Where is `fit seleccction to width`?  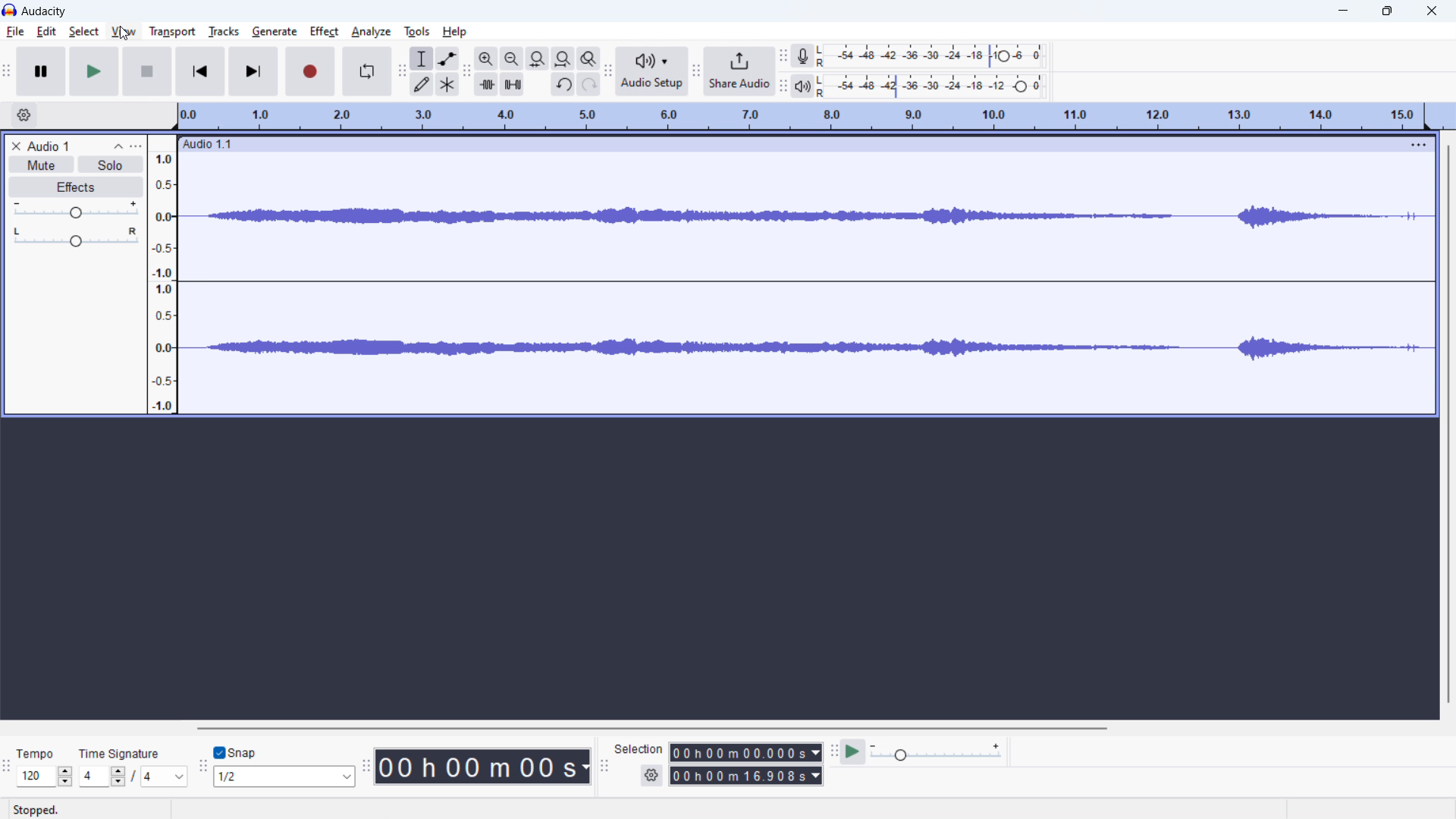 fit seleccction to width is located at coordinates (538, 58).